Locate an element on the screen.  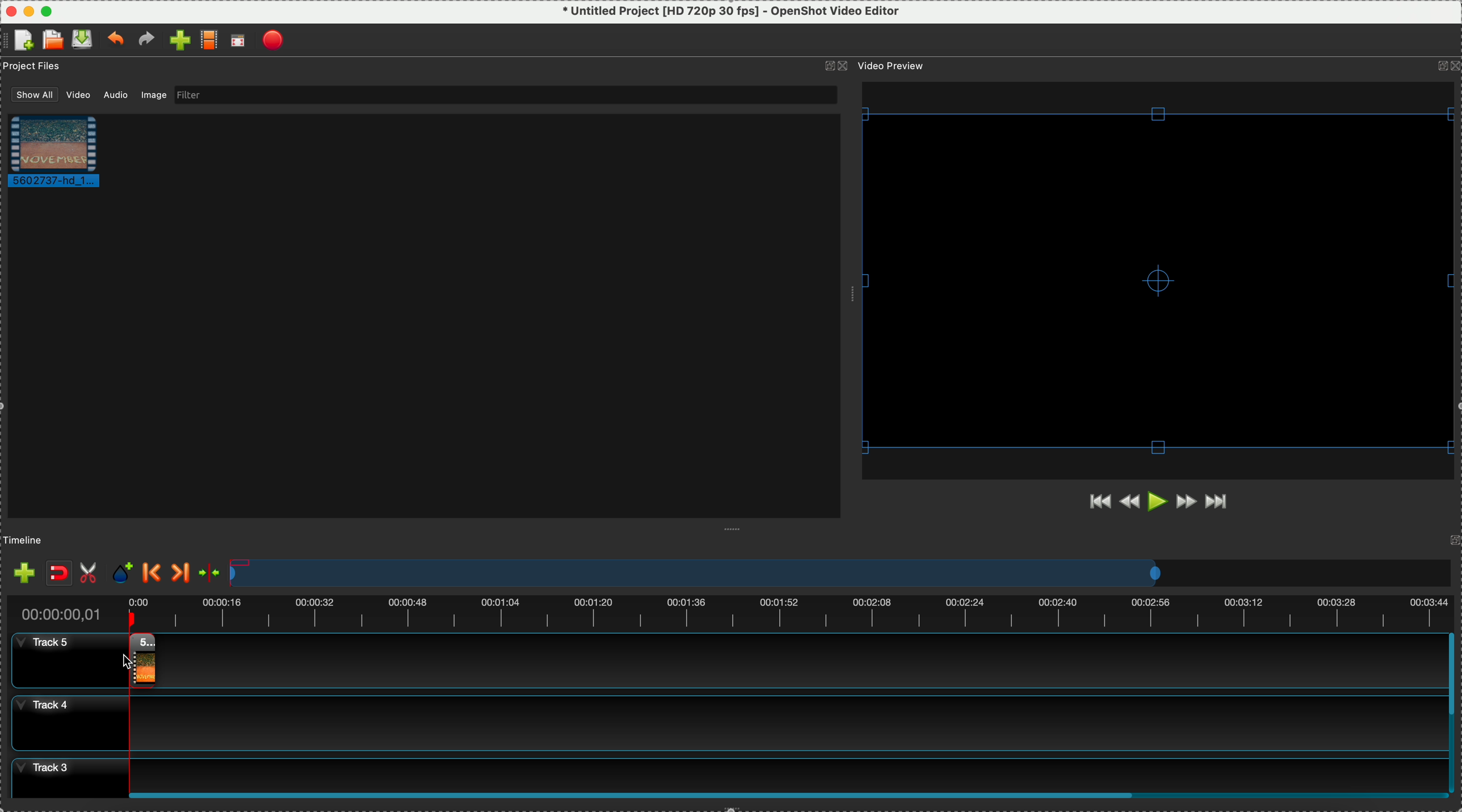
project files is located at coordinates (33, 68).